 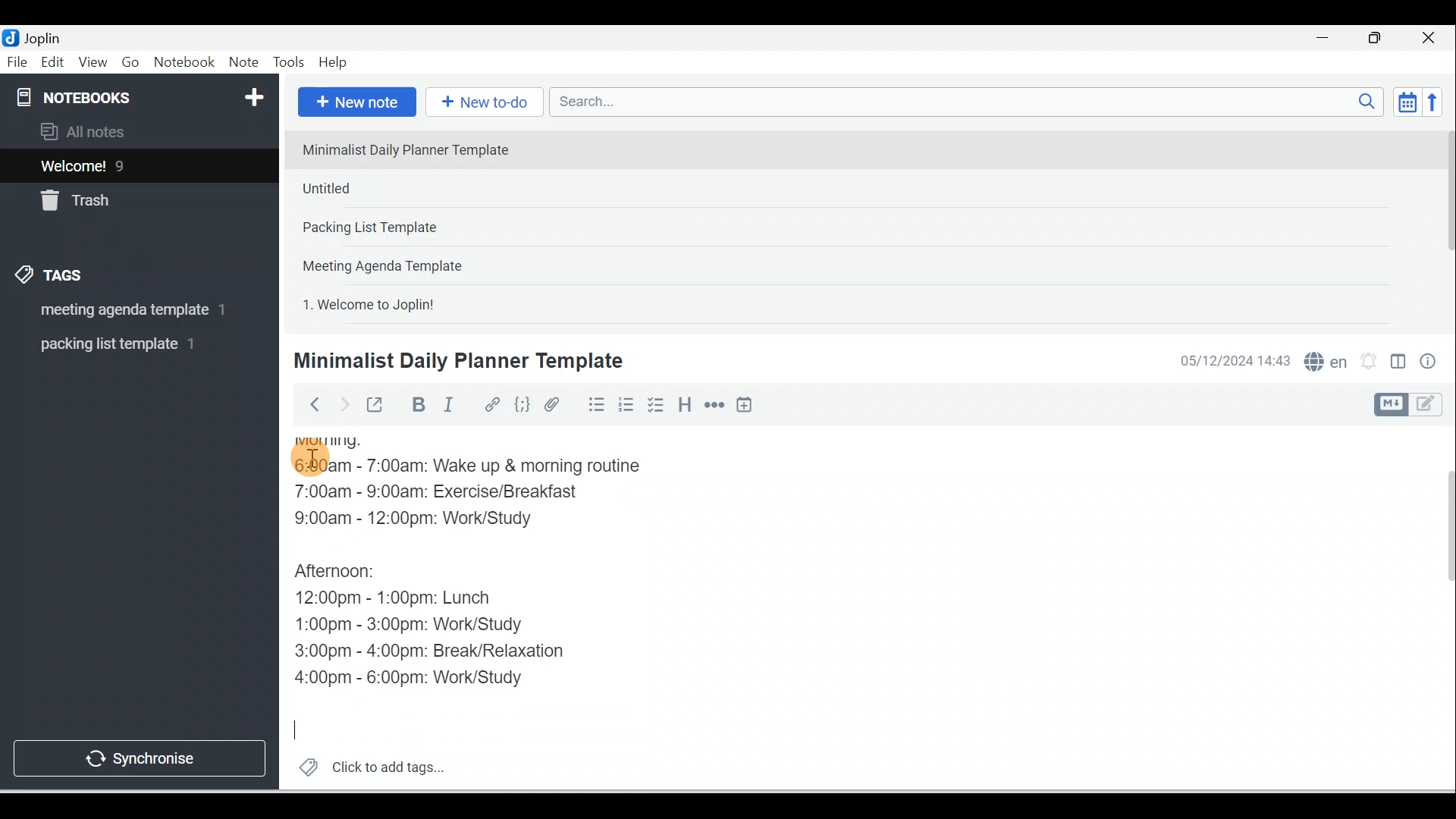 I want to click on New note, so click(x=354, y=103).